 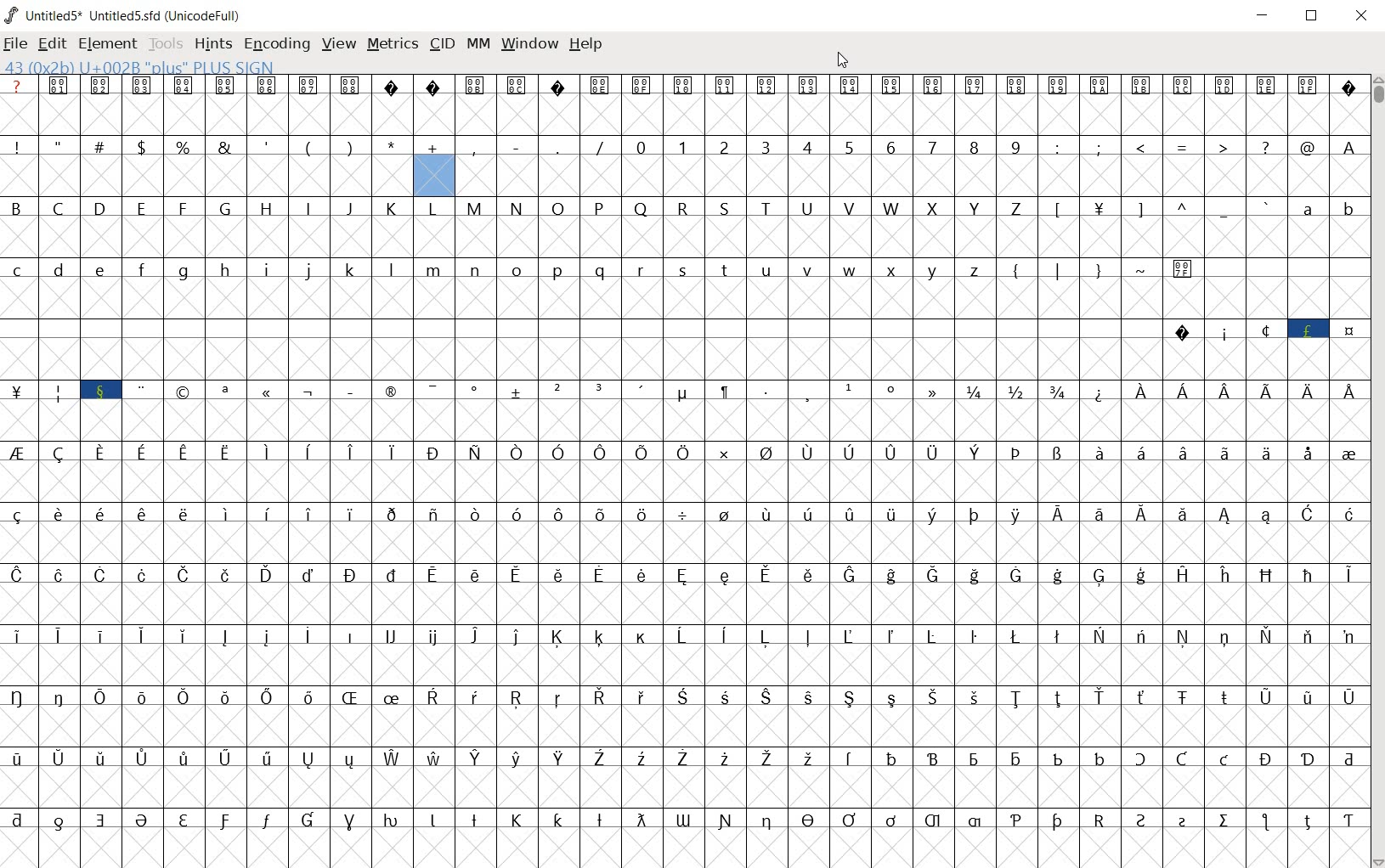 I want to click on hints, so click(x=212, y=45).